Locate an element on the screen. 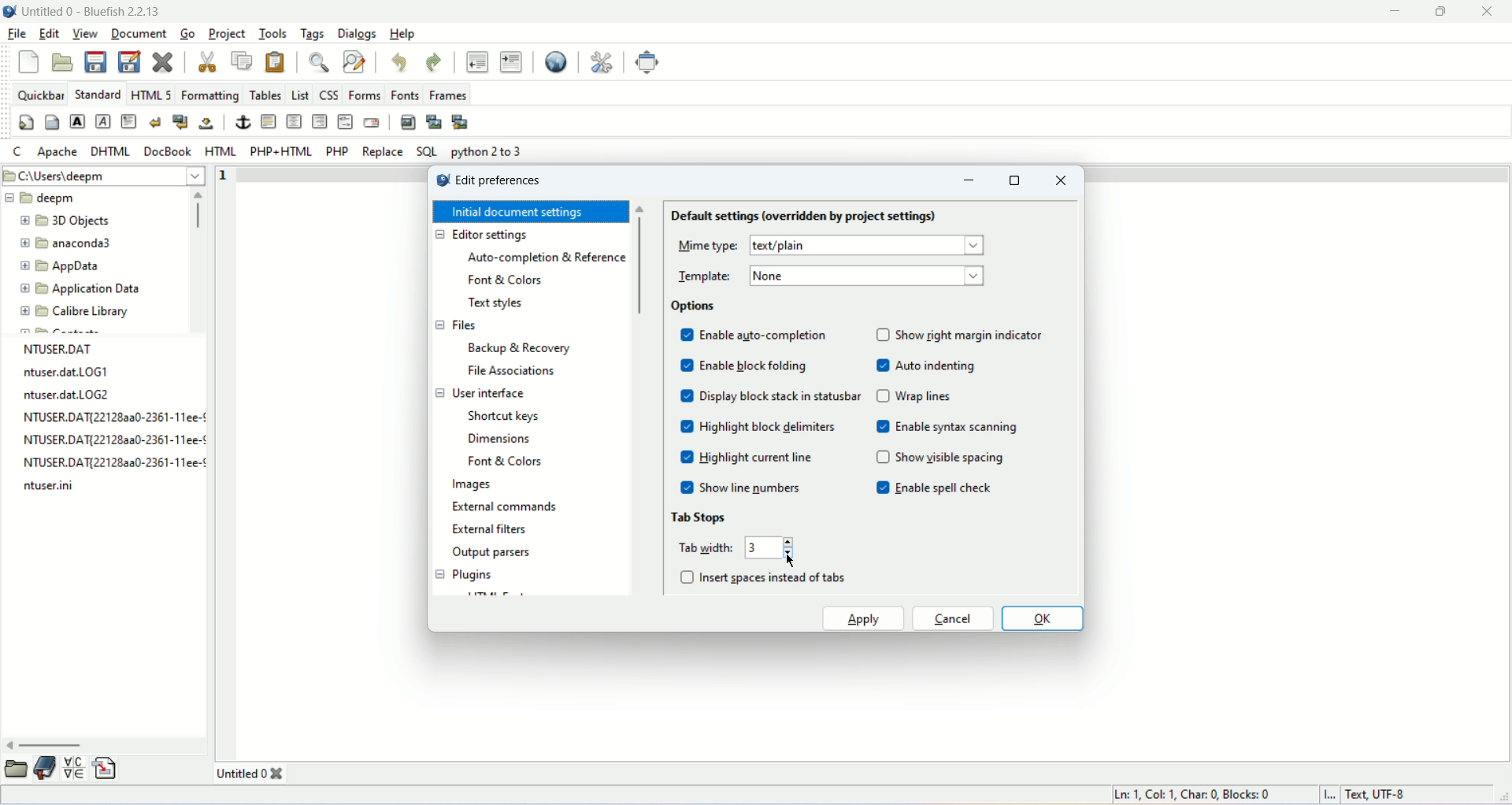 The height and width of the screenshot is (805, 1512). NTUSER.DAT{22128aa0-2361-11ee-¢ is located at coordinates (109, 418).